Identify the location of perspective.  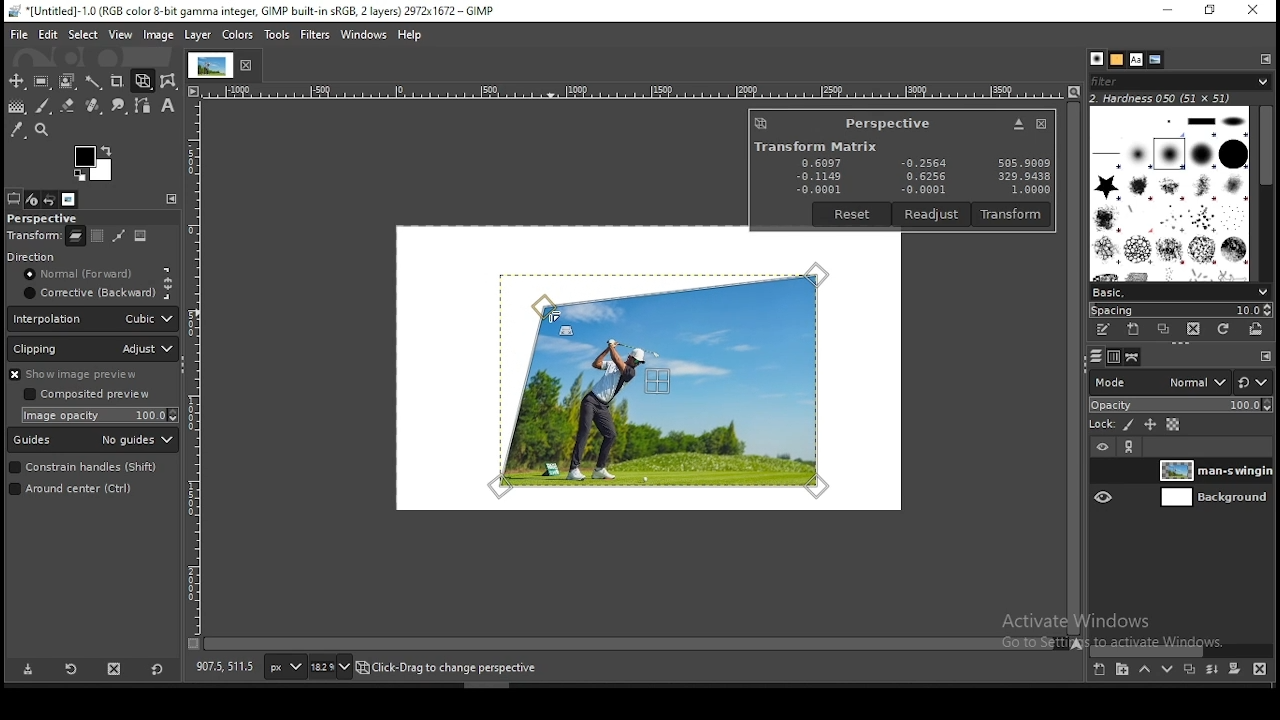
(59, 218).